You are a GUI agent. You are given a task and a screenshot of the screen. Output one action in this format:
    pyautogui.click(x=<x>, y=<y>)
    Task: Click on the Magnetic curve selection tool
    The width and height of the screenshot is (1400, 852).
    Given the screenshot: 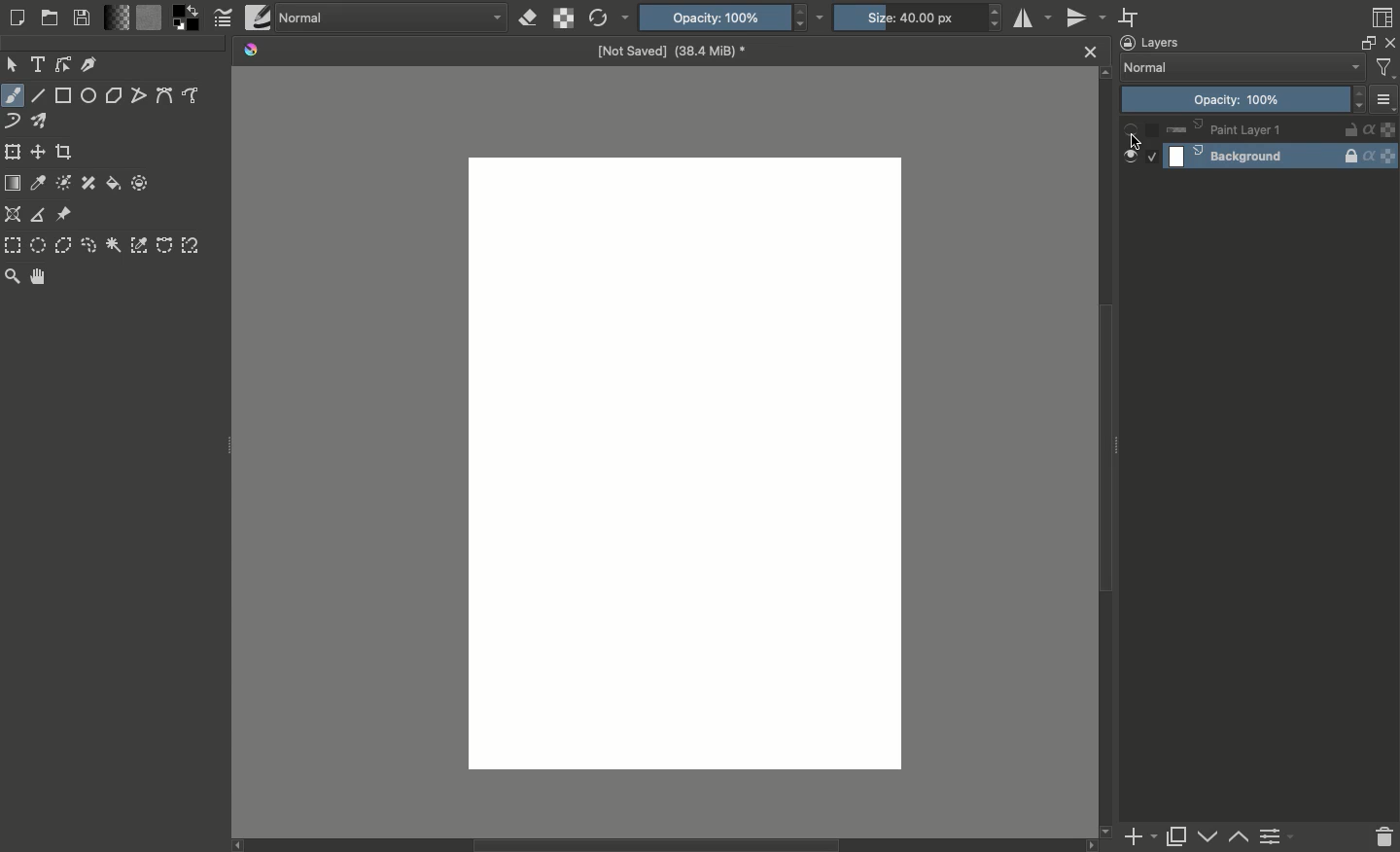 What is the action you would take?
    pyautogui.click(x=192, y=243)
    